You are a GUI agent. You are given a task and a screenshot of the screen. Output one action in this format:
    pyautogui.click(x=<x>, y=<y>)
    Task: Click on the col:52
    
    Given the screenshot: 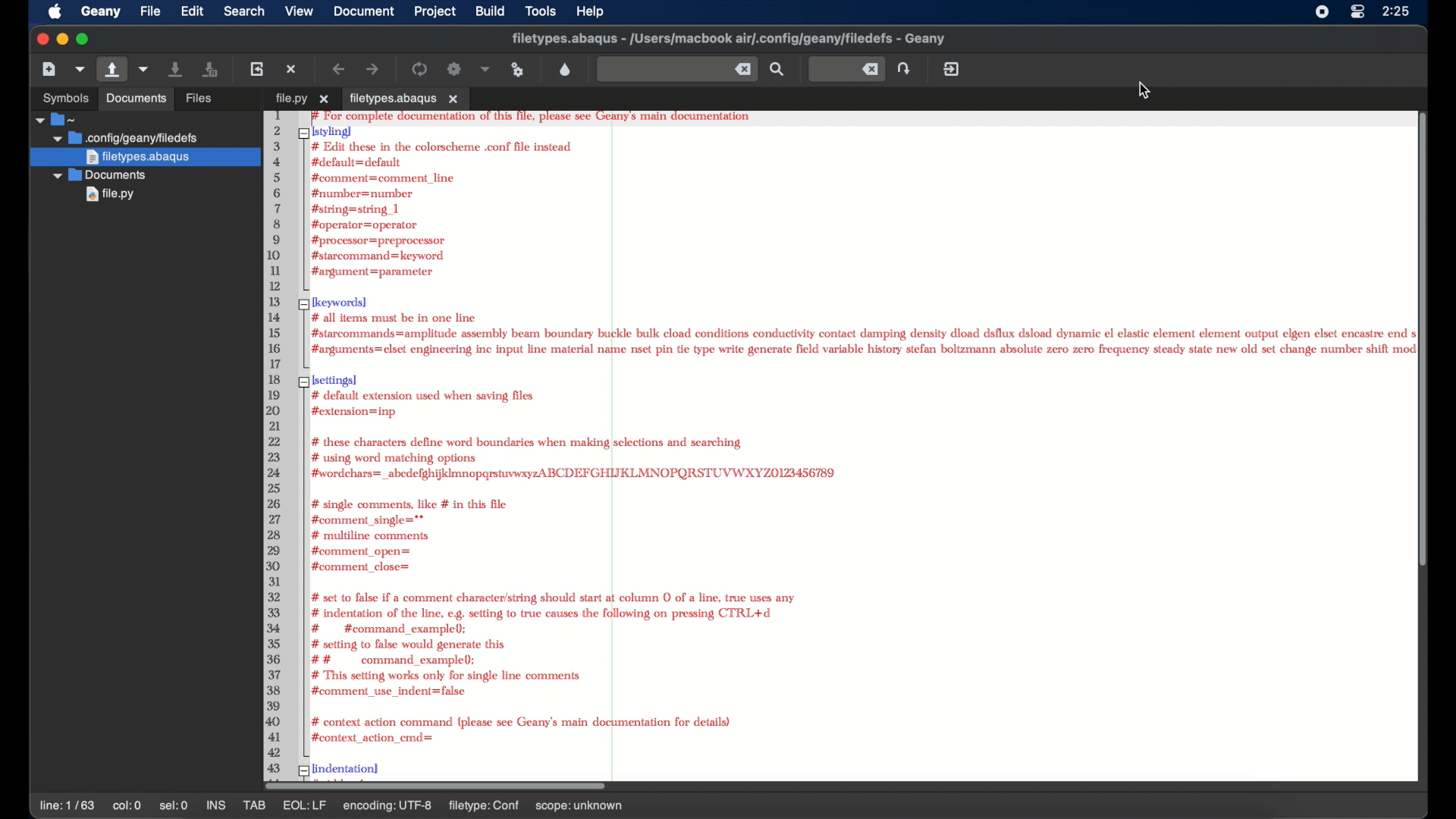 What is the action you would take?
    pyautogui.click(x=129, y=807)
    